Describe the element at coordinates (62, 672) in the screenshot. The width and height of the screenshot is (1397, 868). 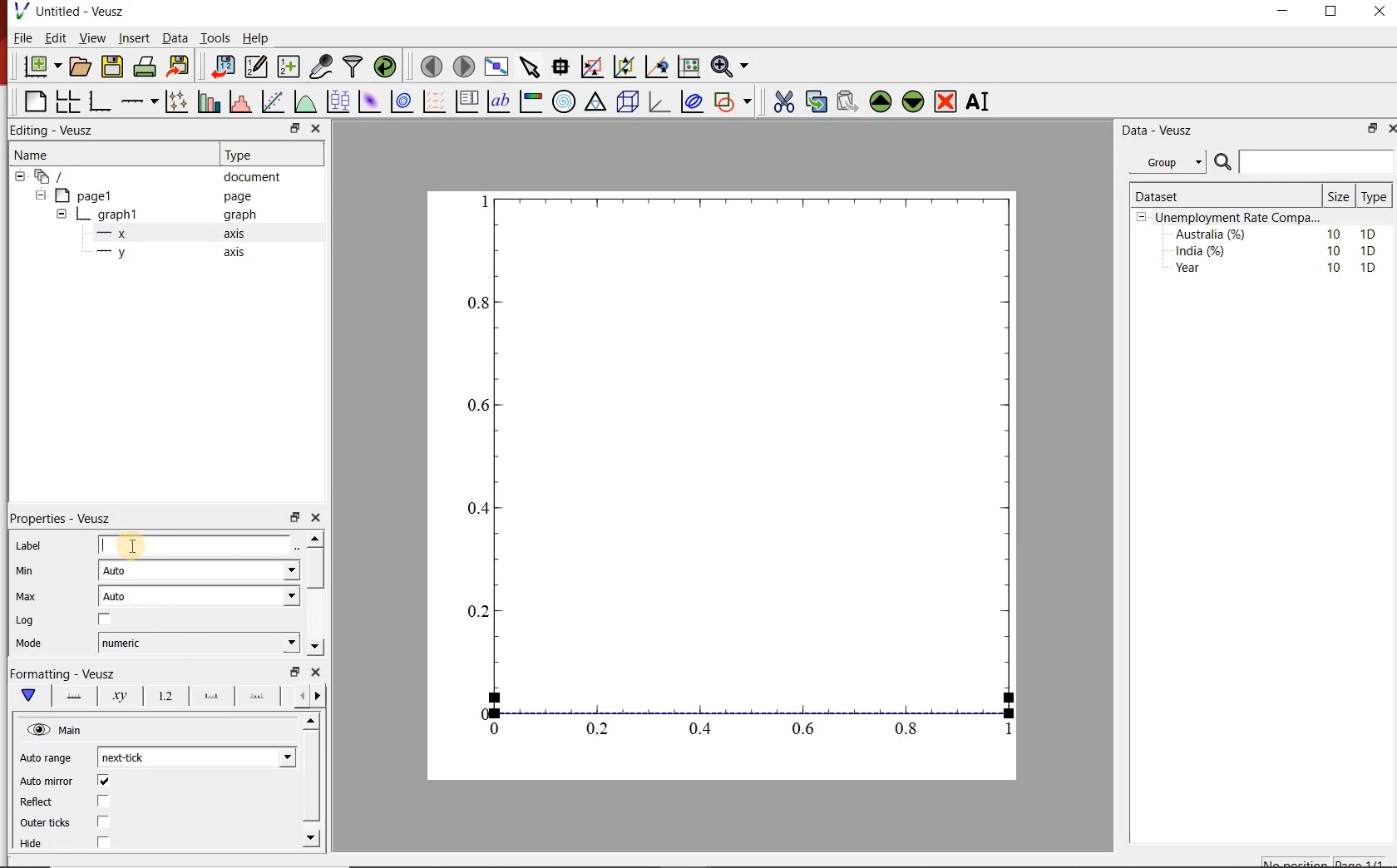
I see `Formatting - Veusz` at that location.